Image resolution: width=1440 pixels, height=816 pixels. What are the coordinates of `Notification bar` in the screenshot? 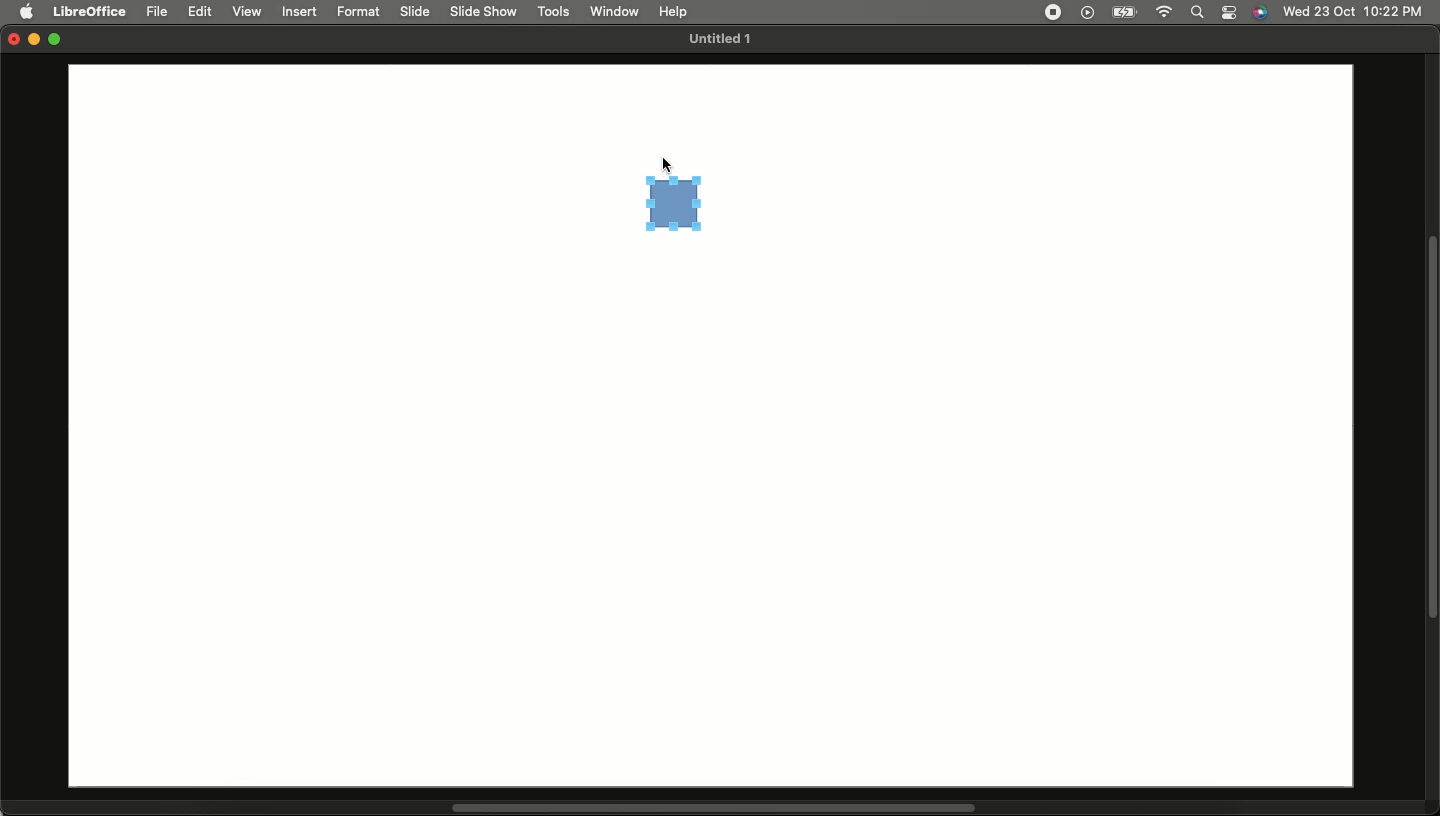 It's located at (1230, 13).